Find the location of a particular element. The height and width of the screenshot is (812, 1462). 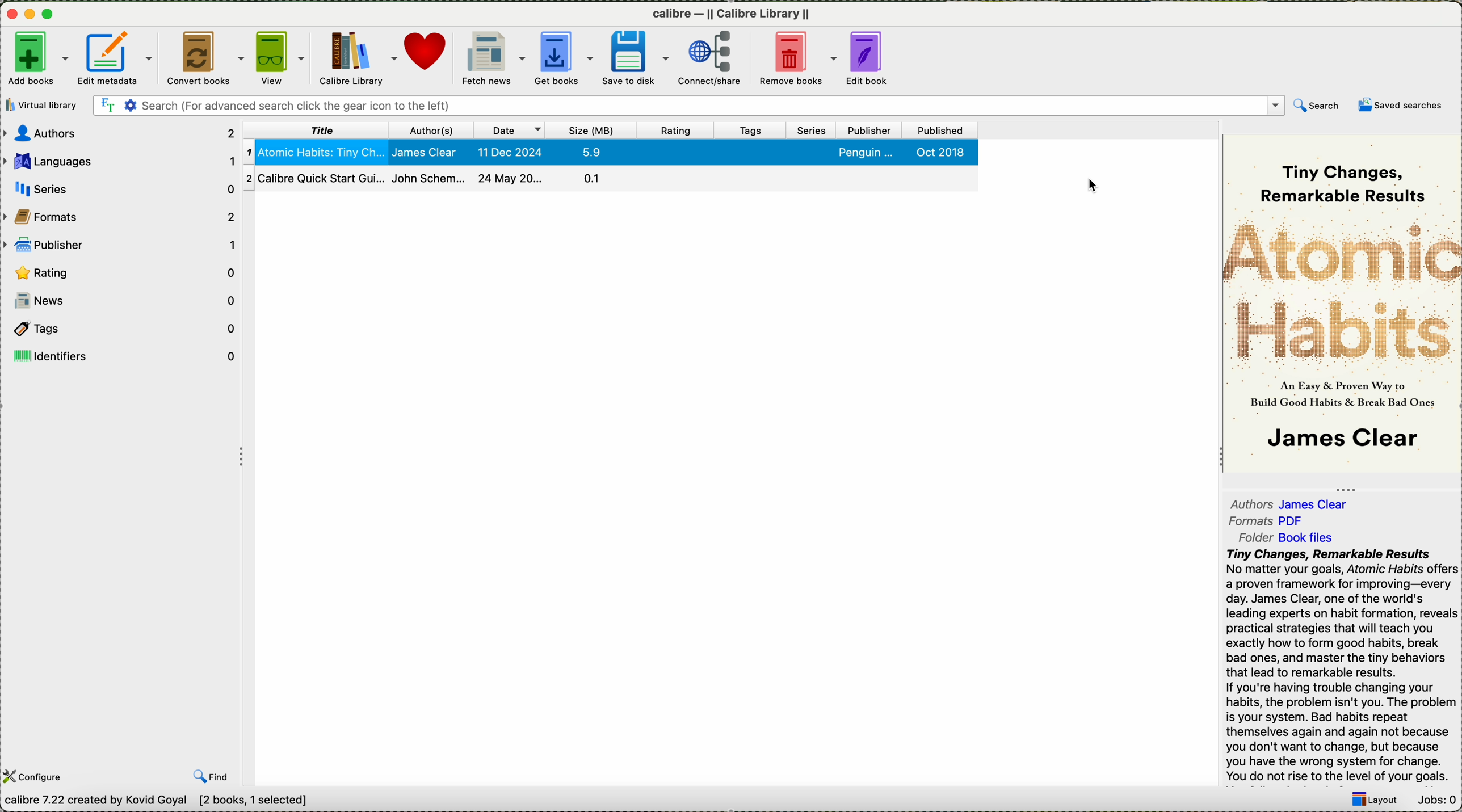

published is located at coordinates (942, 130).